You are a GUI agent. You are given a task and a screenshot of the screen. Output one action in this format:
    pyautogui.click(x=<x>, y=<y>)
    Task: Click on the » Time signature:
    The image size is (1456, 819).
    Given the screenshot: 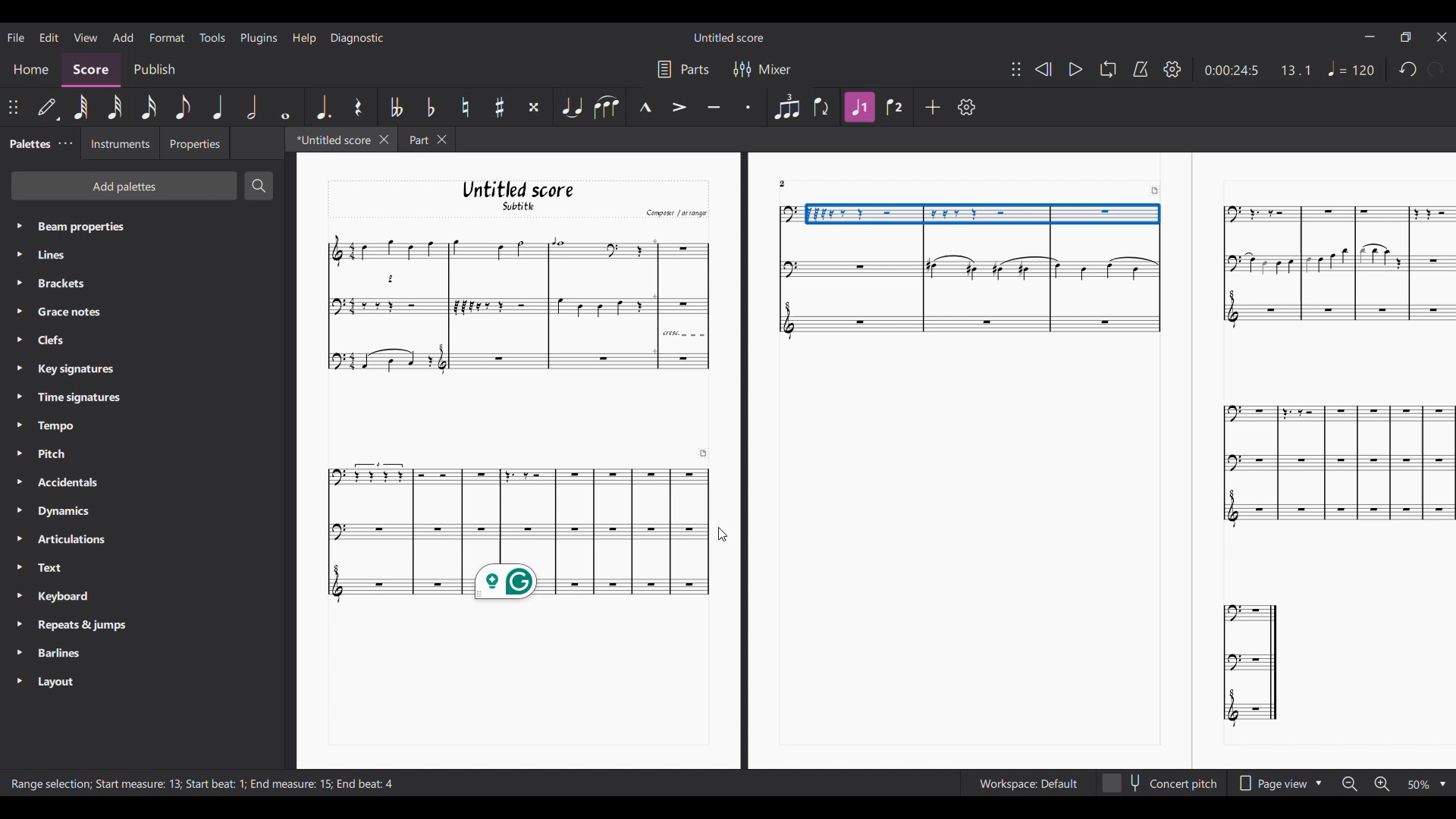 What is the action you would take?
    pyautogui.click(x=68, y=397)
    